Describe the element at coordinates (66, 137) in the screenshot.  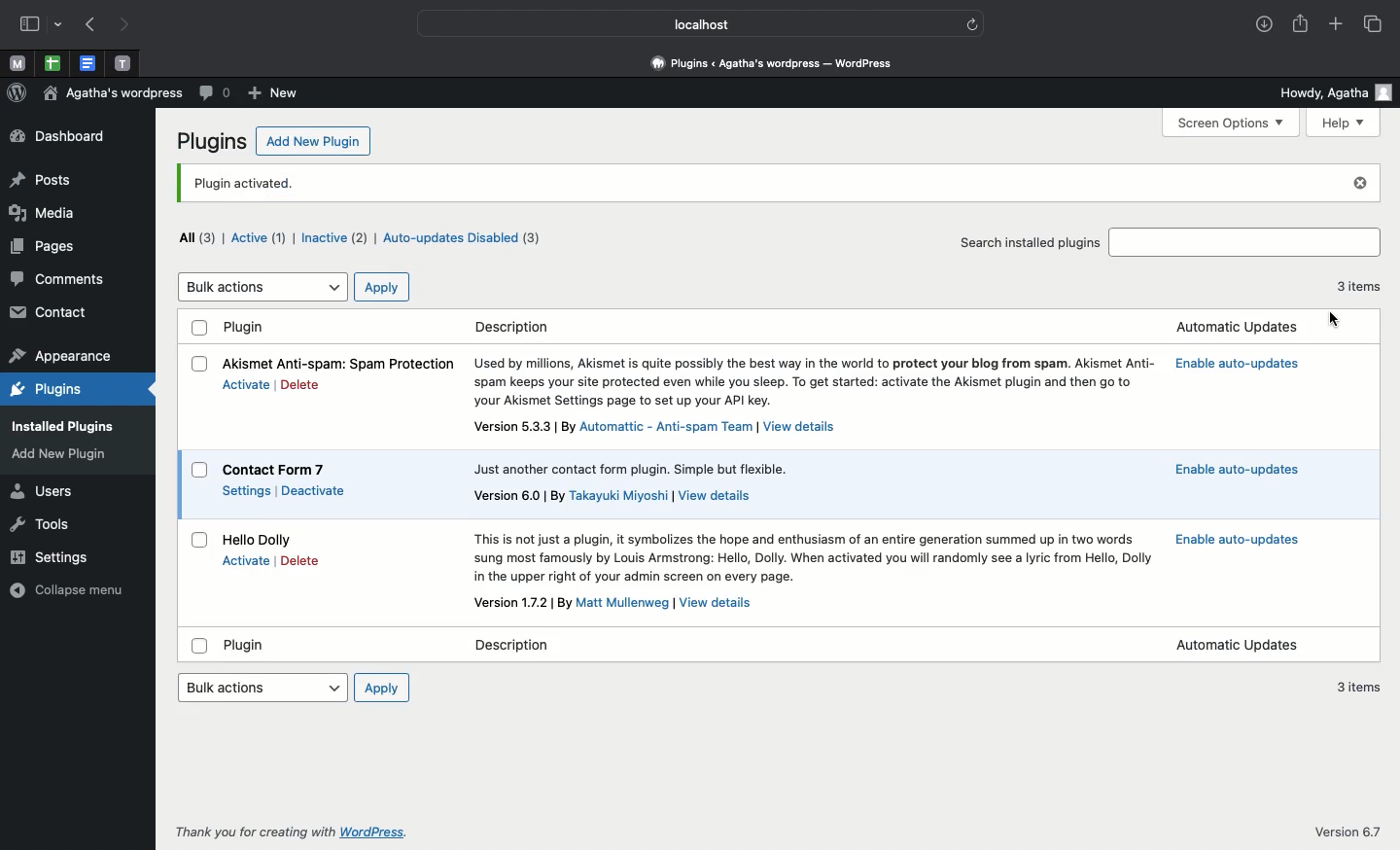
I see `Dashboard` at that location.